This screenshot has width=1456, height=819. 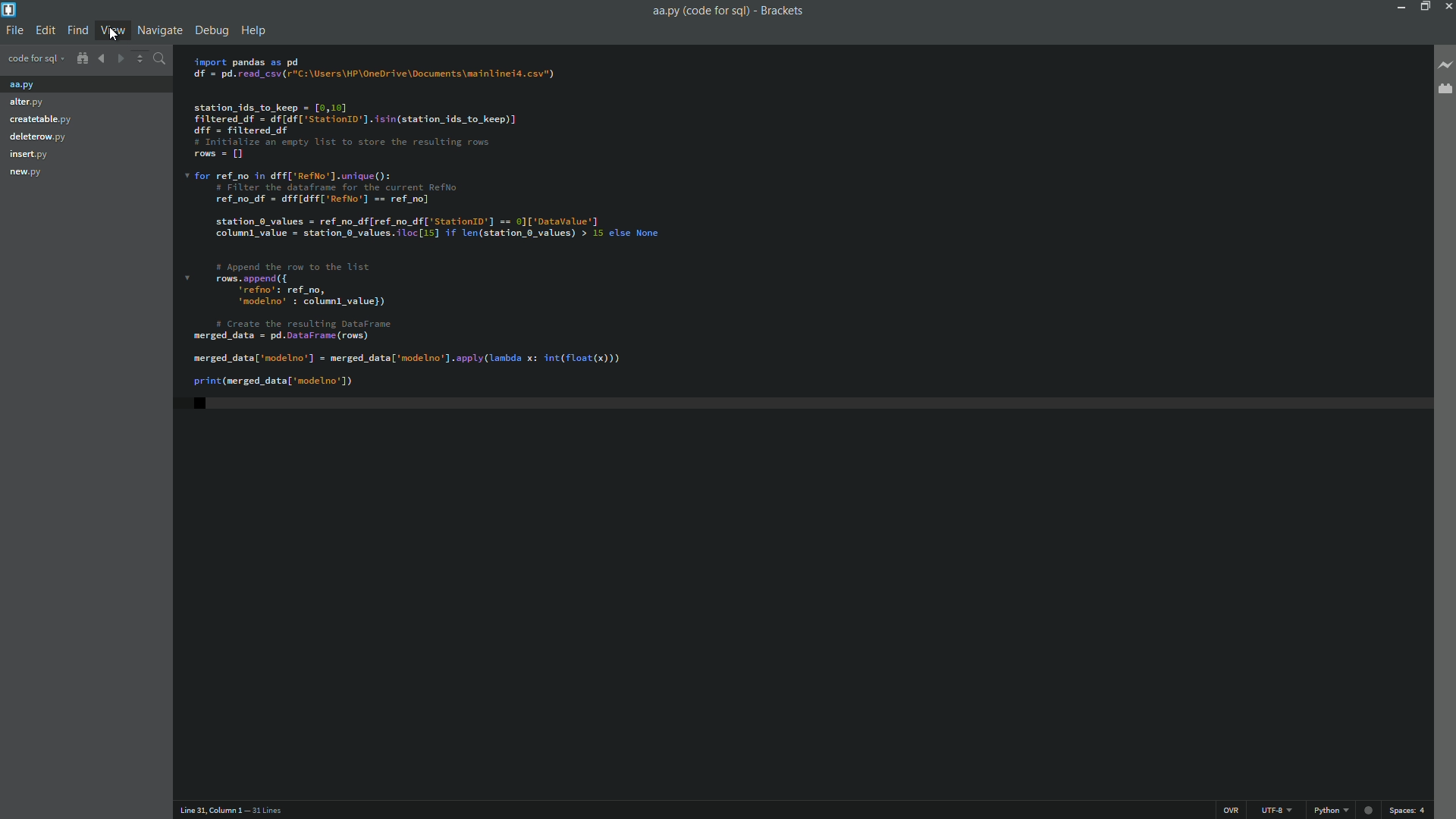 I want to click on file encoding button, so click(x=1278, y=811).